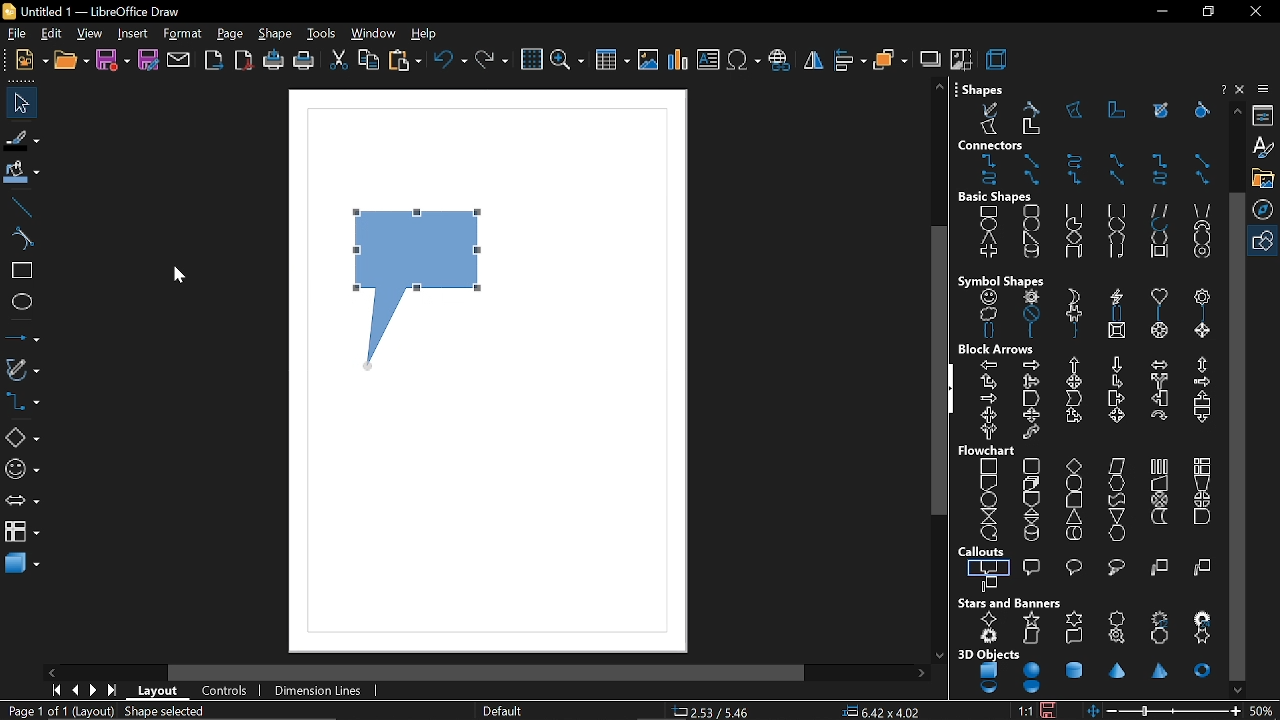  What do you see at coordinates (18, 103) in the screenshot?
I see `select` at bounding box center [18, 103].